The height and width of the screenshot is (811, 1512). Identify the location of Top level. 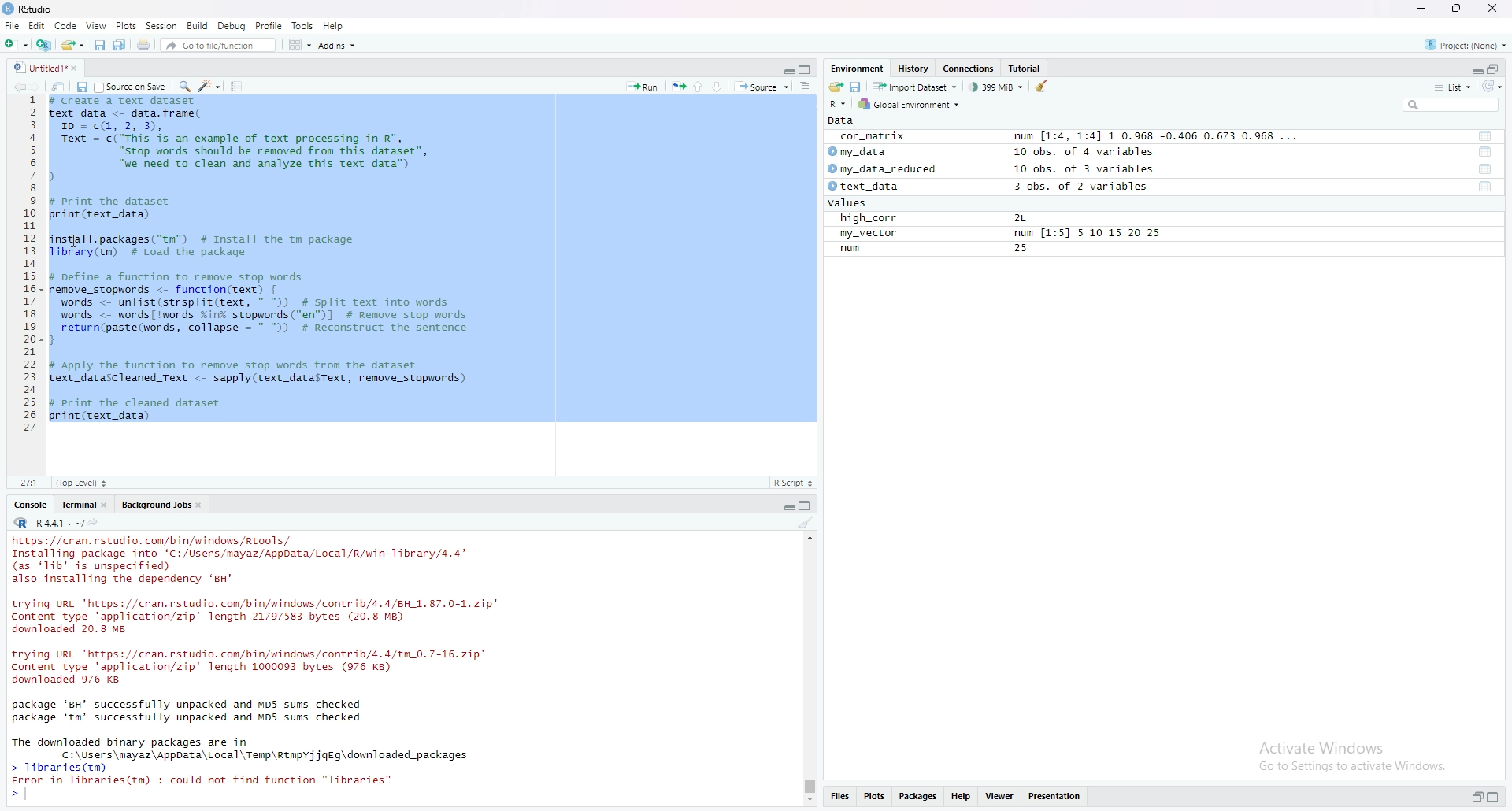
(82, 482).